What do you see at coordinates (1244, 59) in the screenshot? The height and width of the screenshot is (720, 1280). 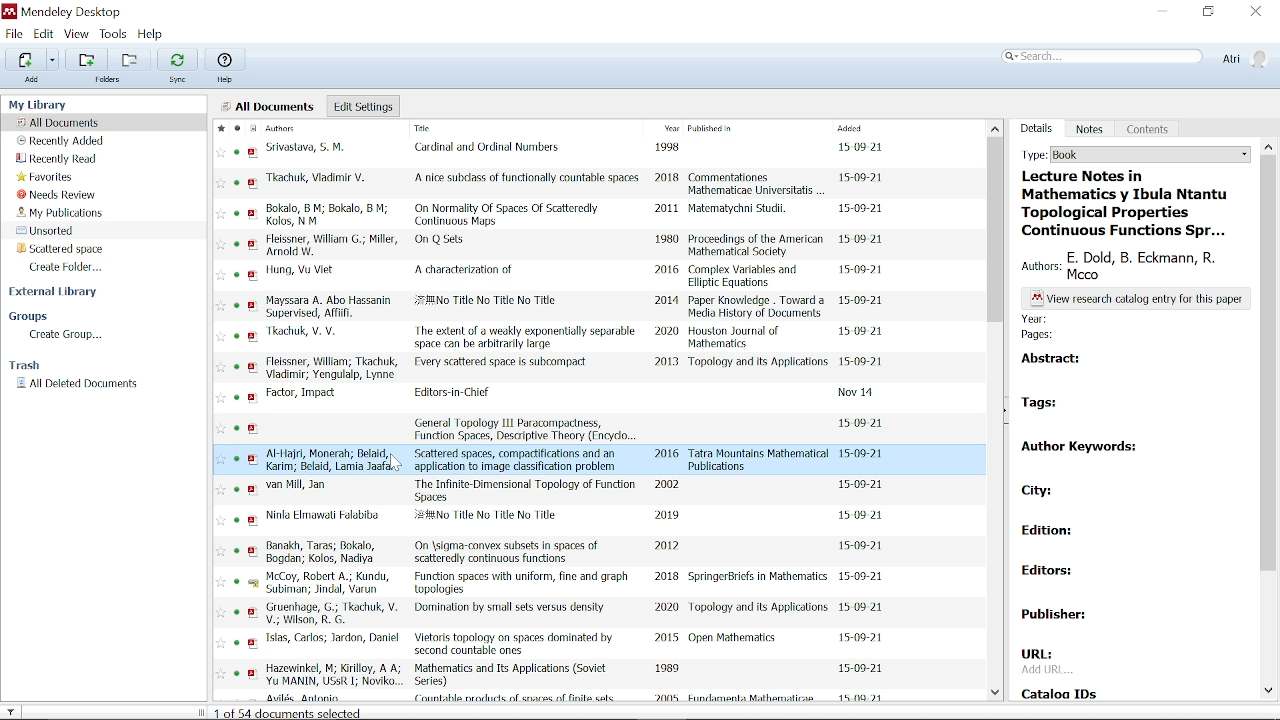 I see `Profile` at bounding box center [1244, 59].